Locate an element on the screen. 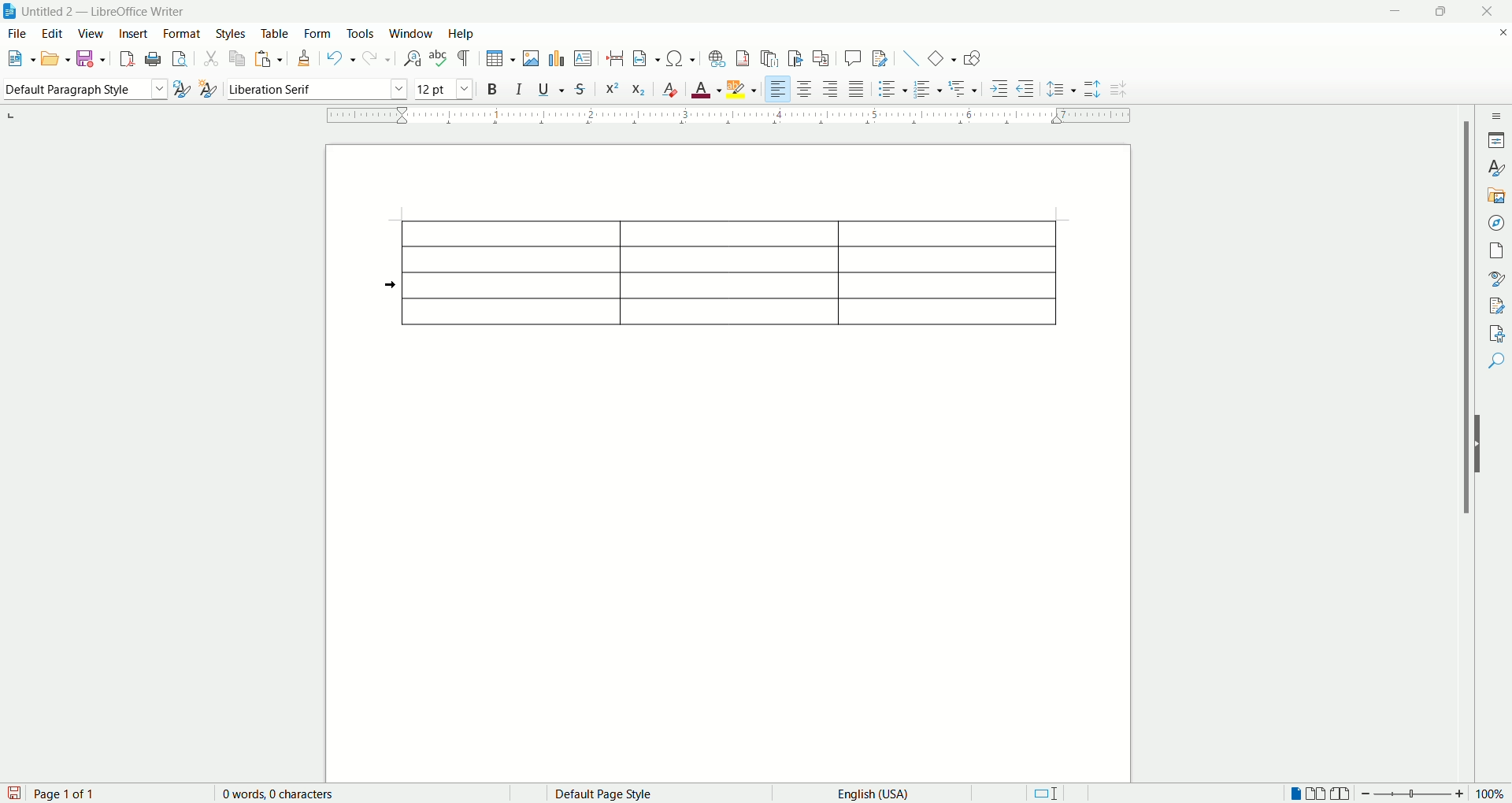  break page is located at coordinates (613, 54).